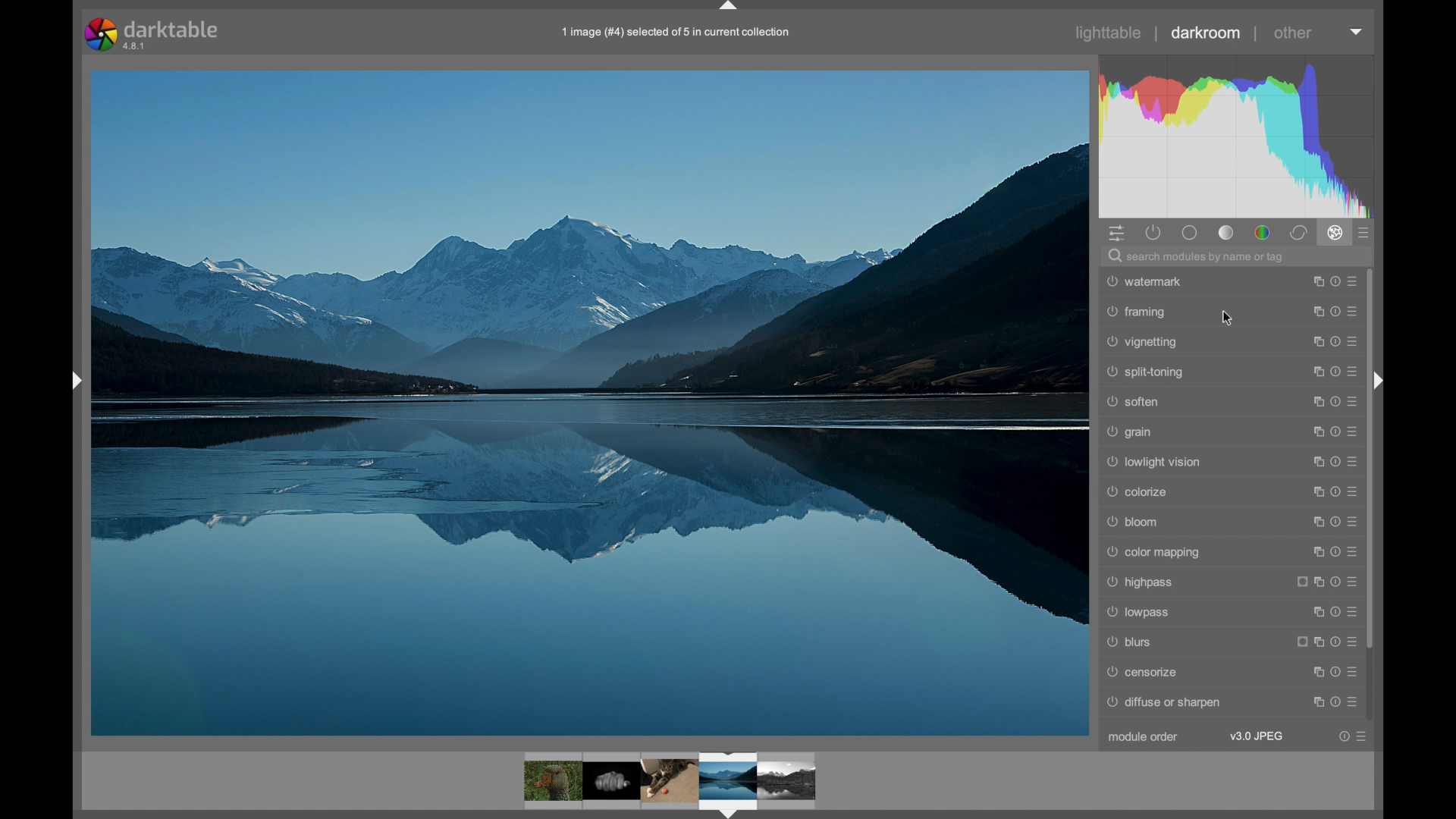 The width and height of the screenshot is (1456, 819). Describe the element at coordinates (678, 33) in the screenshot. I see `info` at that location.